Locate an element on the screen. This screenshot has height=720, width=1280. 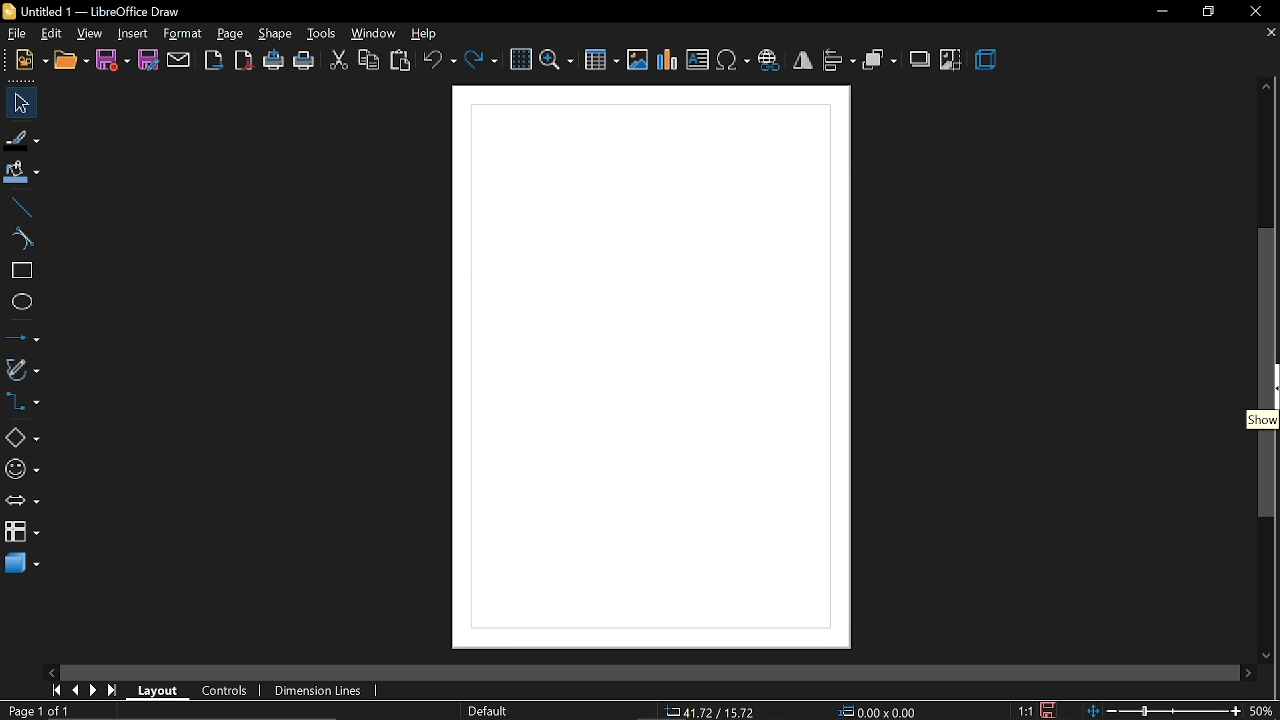
save as is located at coordinates (148, 61).